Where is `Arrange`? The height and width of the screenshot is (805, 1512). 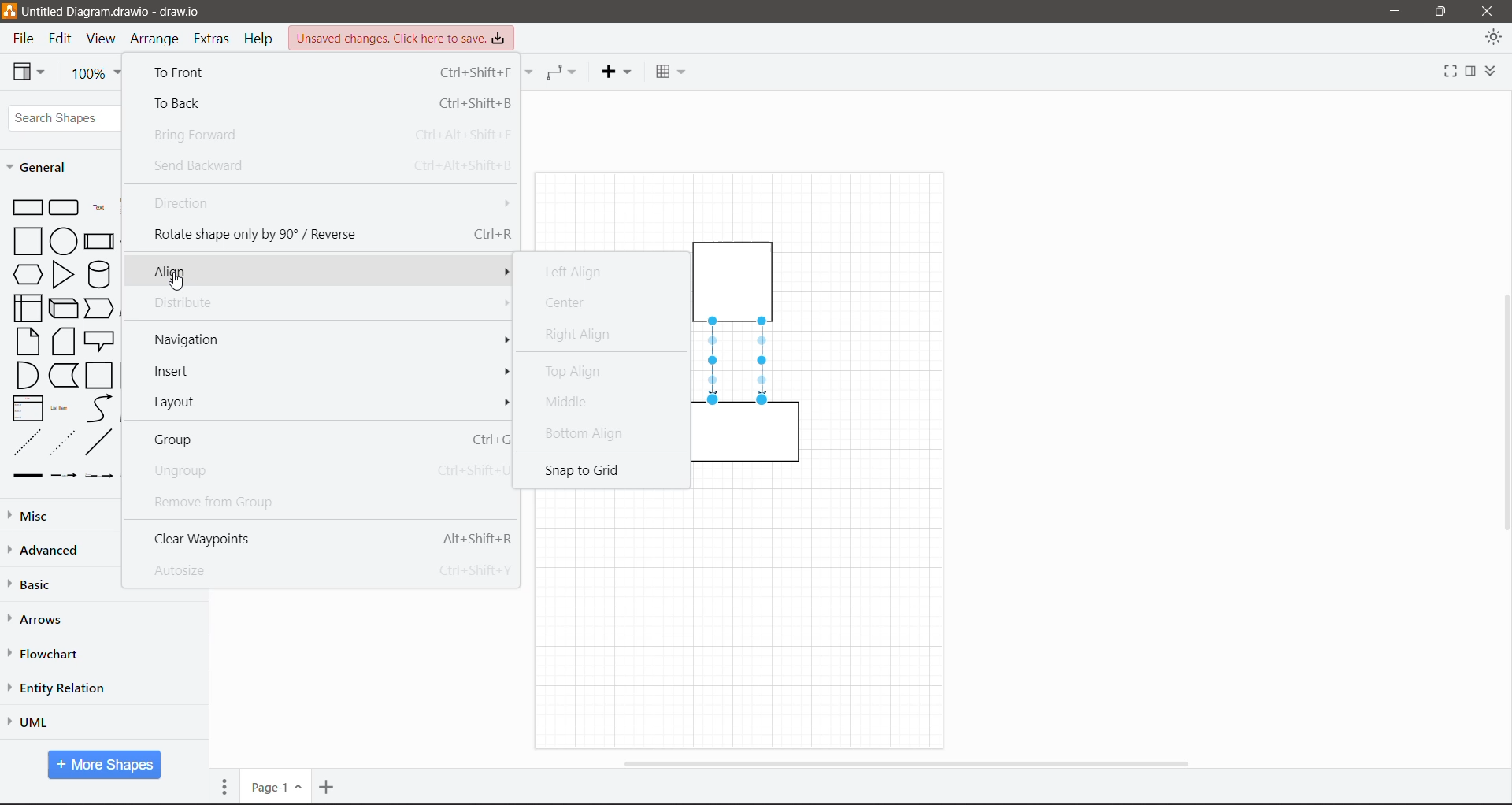 Arrange is located at coordinates (156, 41).